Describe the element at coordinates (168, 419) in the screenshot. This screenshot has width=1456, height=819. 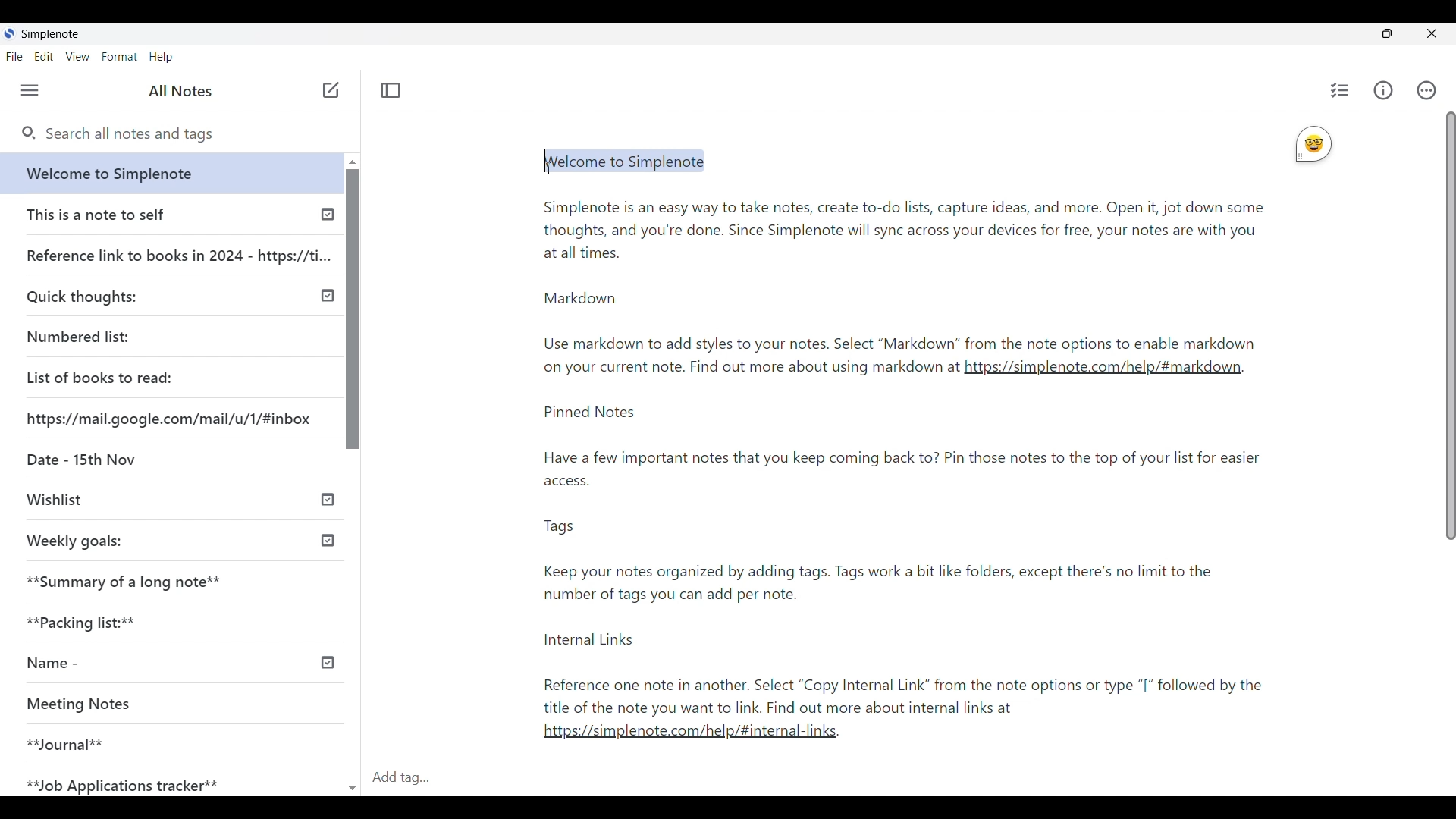
I see `Browser link` at that location.